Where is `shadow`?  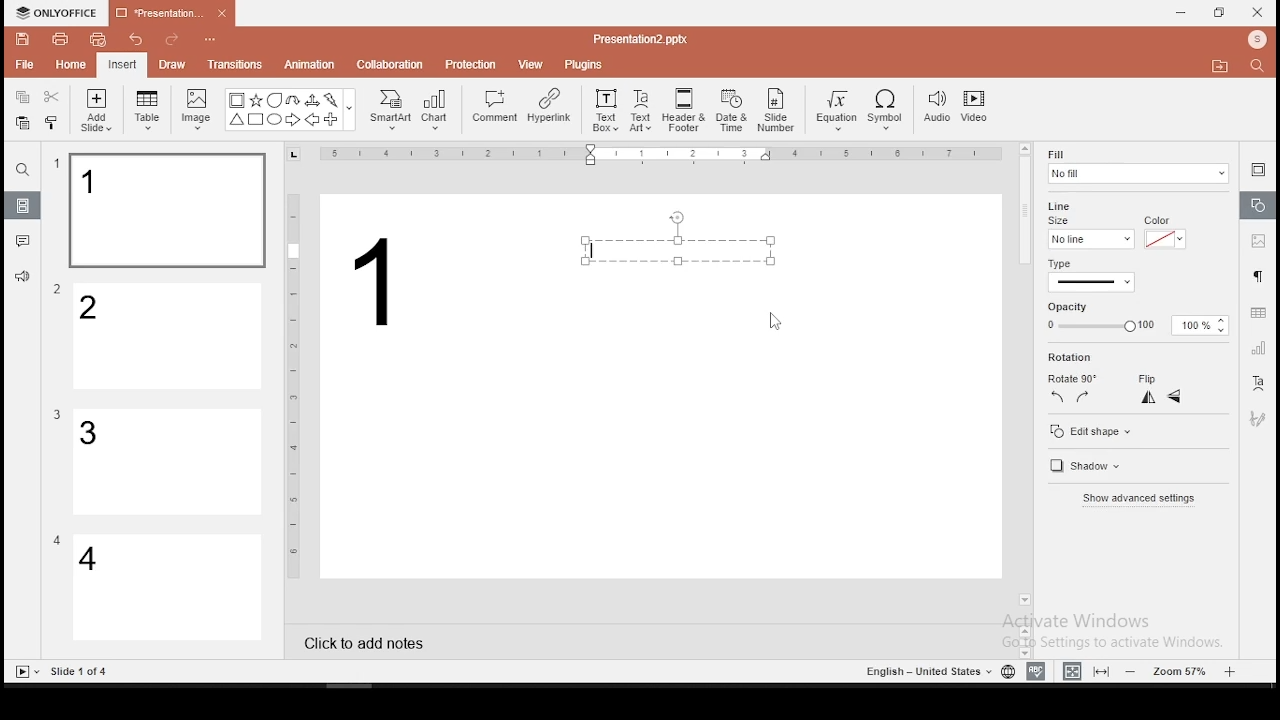 shadow is located at coordinates (1082, 468).